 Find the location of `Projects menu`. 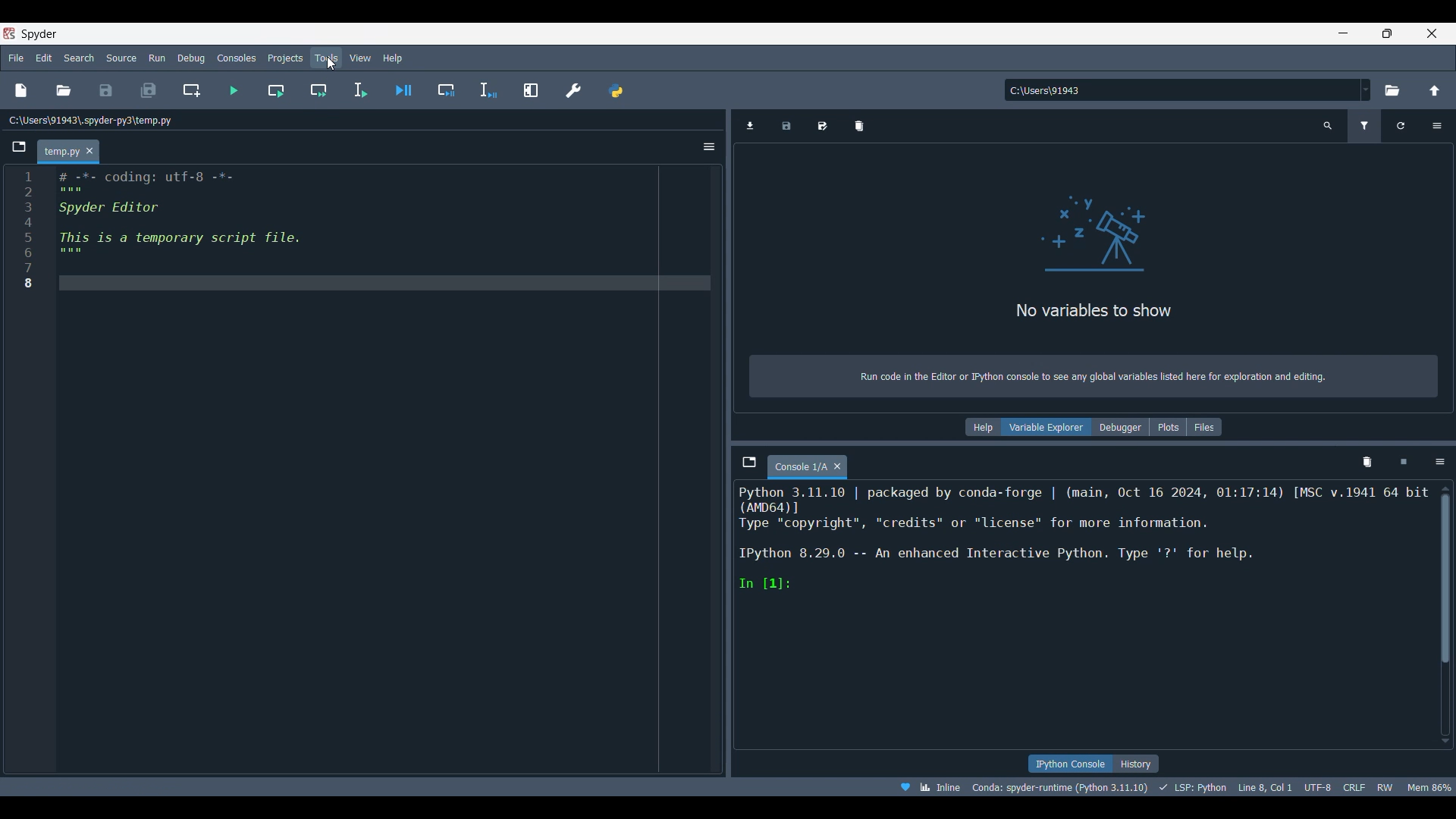

Projects menu is located at coordinates (284, 57).